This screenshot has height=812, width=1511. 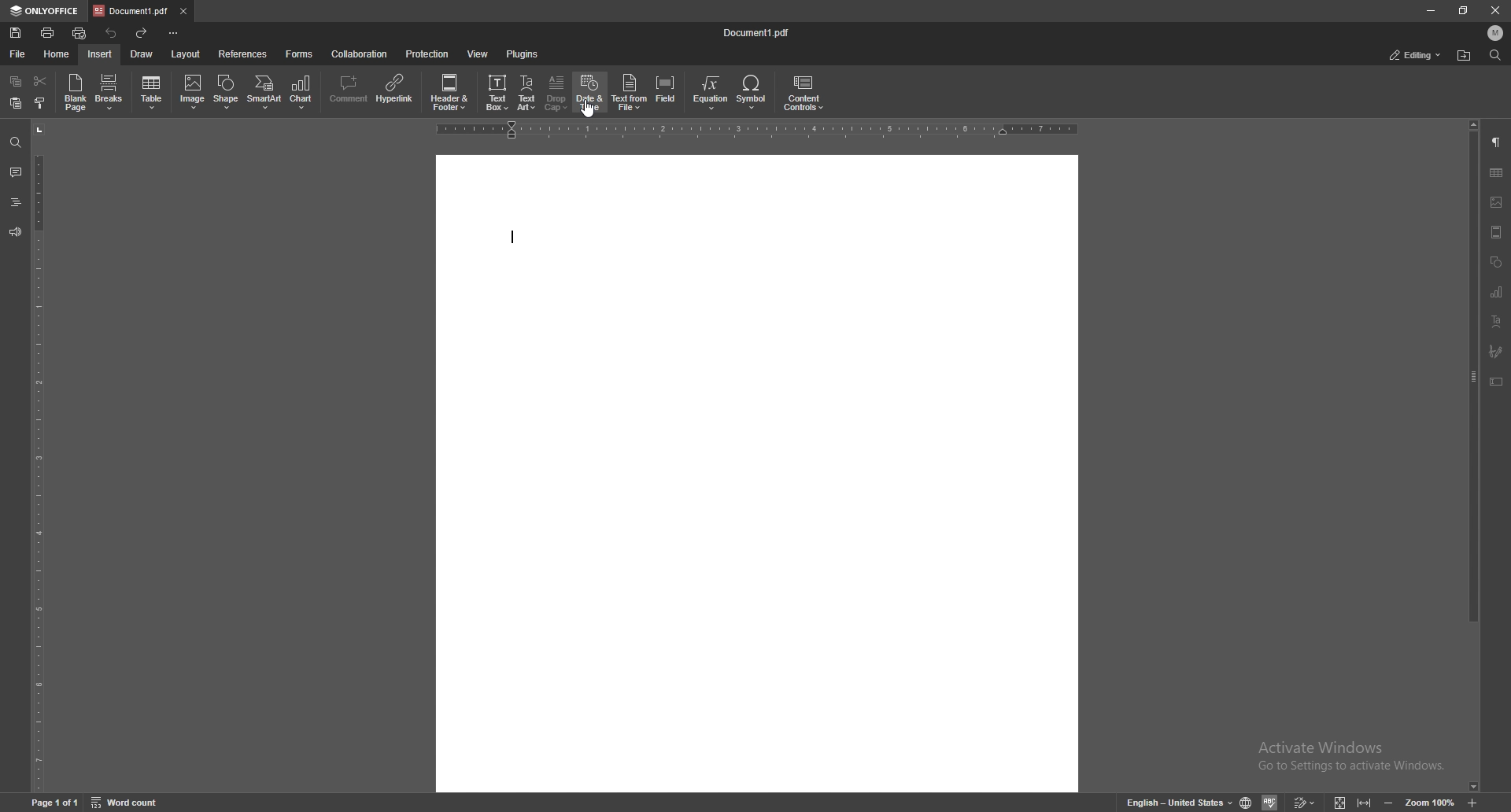 I want to click on select, so click(x=40, y=103).